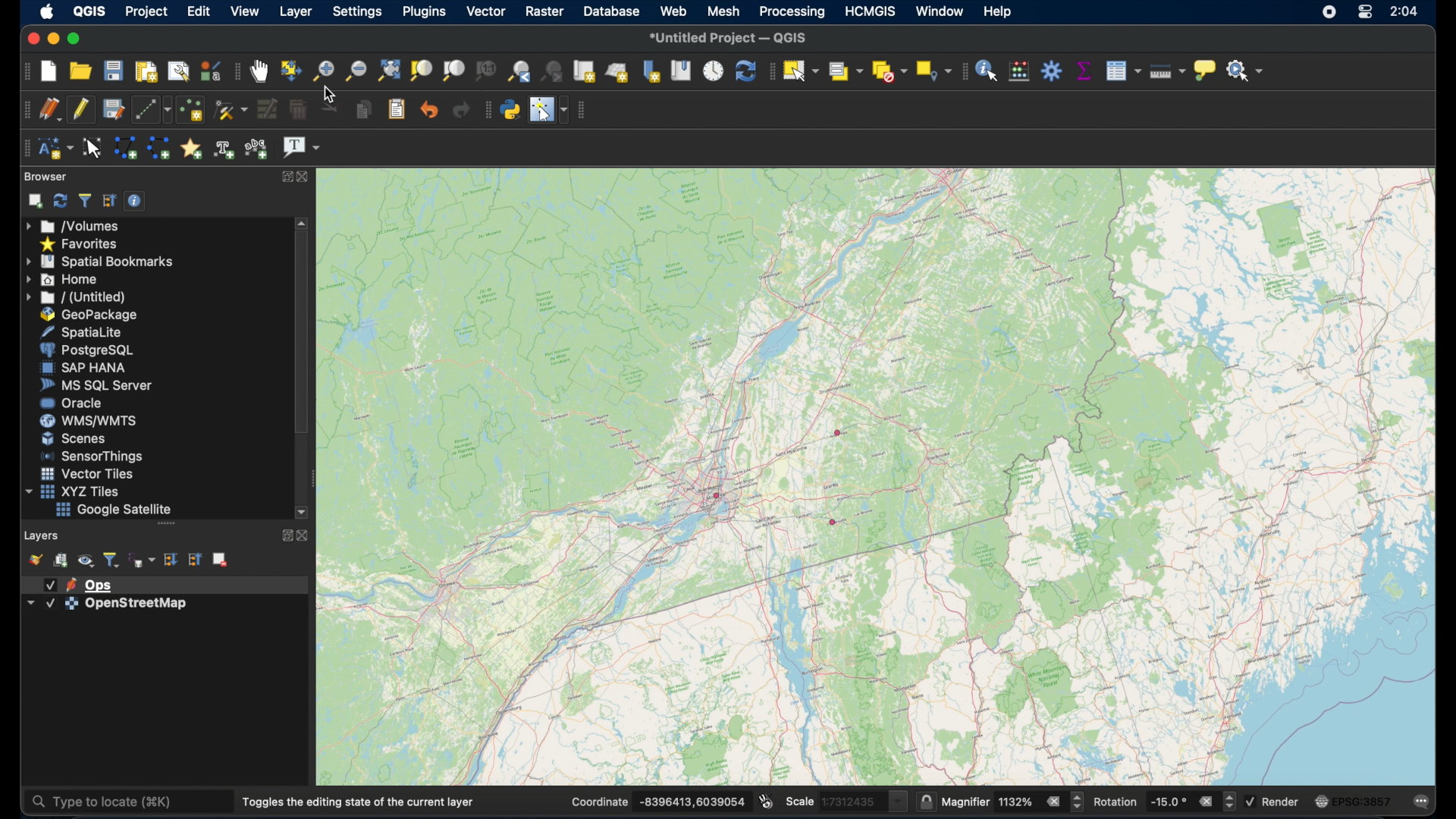 This screenshot has height=819, width=1456. Describe the element at coordinates (890, 71) in the screenshot. I see `deselect features from all layers` at that location.